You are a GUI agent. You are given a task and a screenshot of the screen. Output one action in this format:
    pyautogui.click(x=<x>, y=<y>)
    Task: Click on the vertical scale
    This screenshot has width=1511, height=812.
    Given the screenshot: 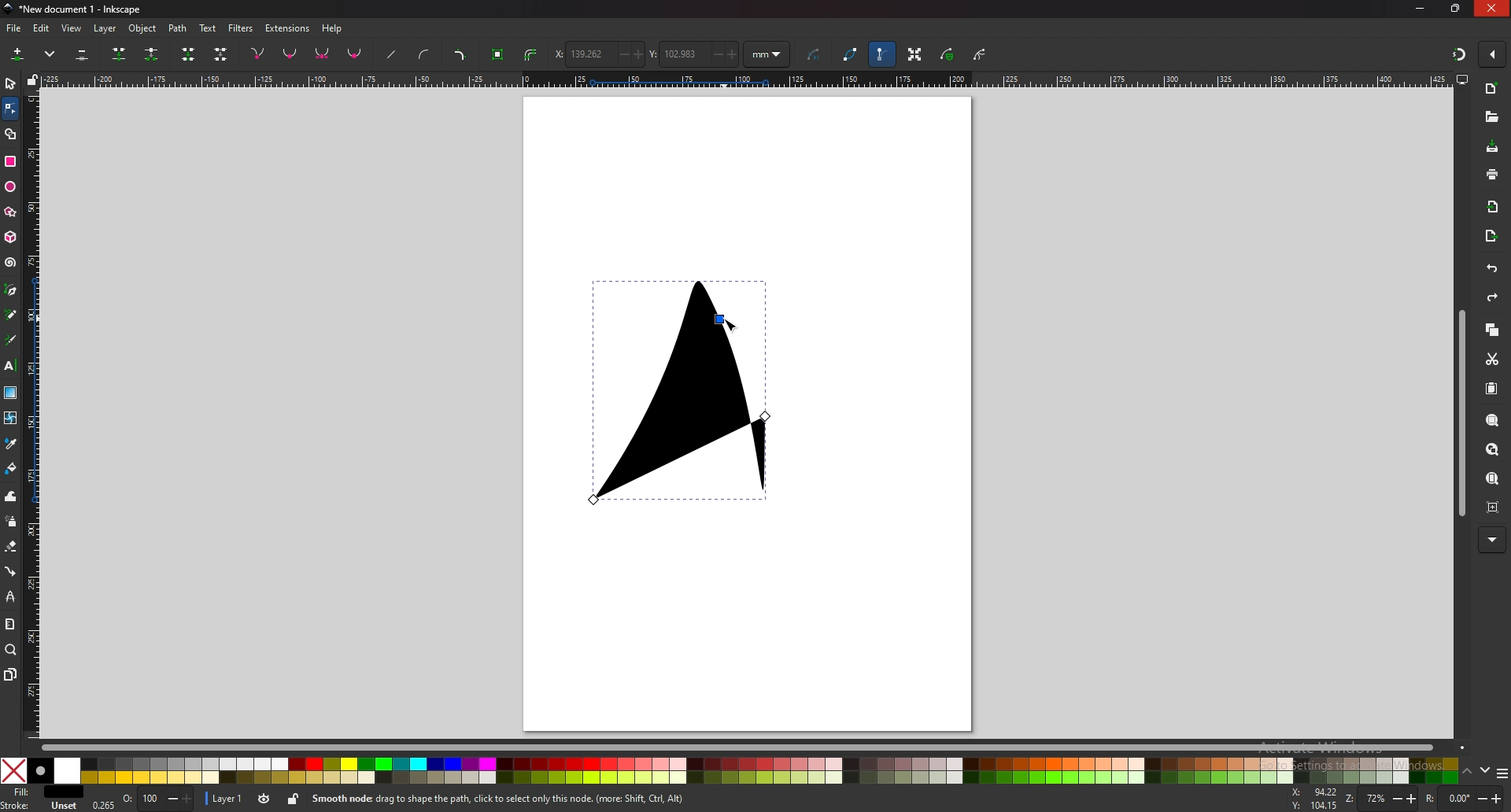 What is the action you would take?
    pyautogui.click(x=34, y=414)
    